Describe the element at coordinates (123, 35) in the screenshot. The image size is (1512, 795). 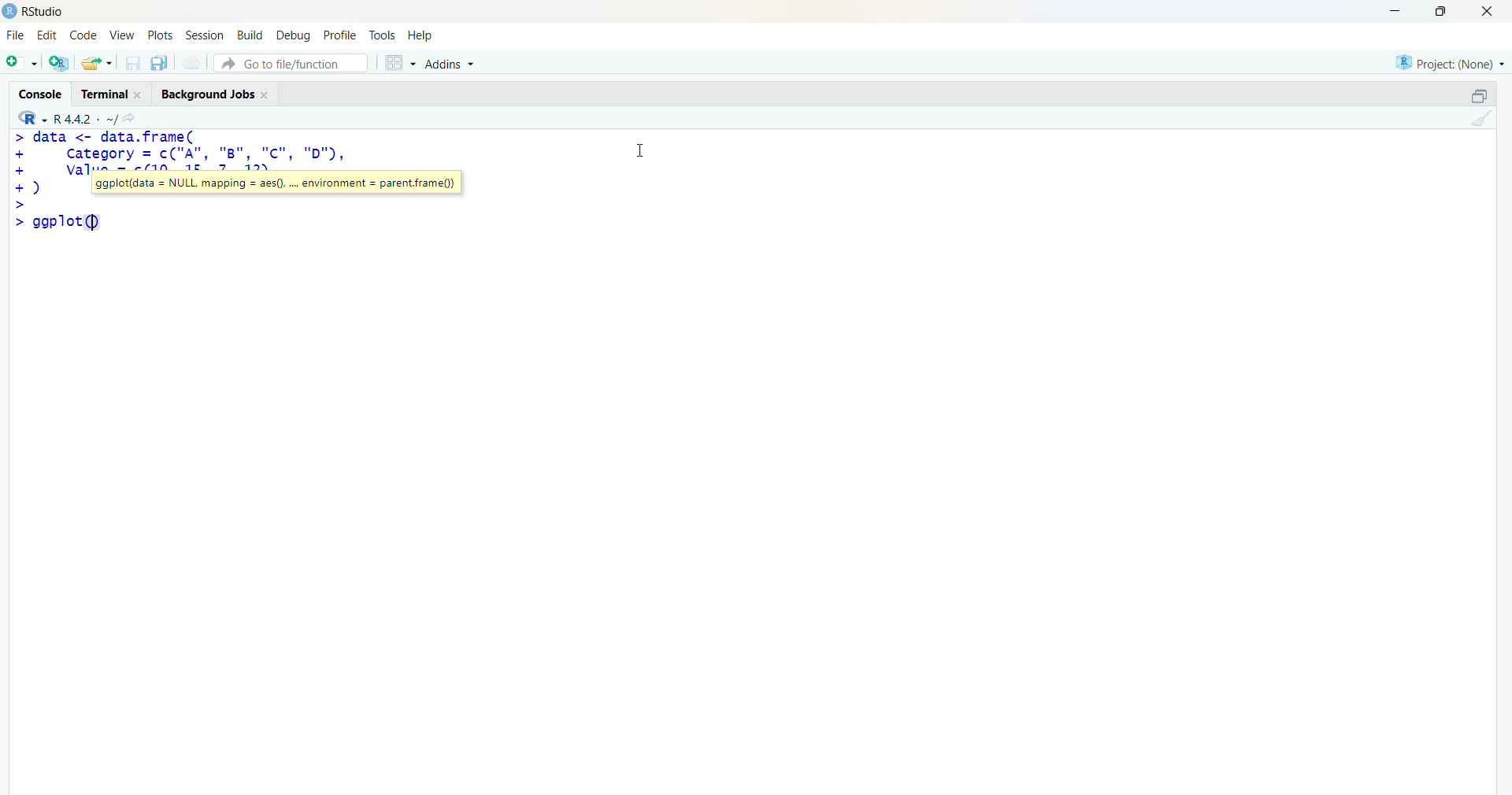
I see `View` at that location.